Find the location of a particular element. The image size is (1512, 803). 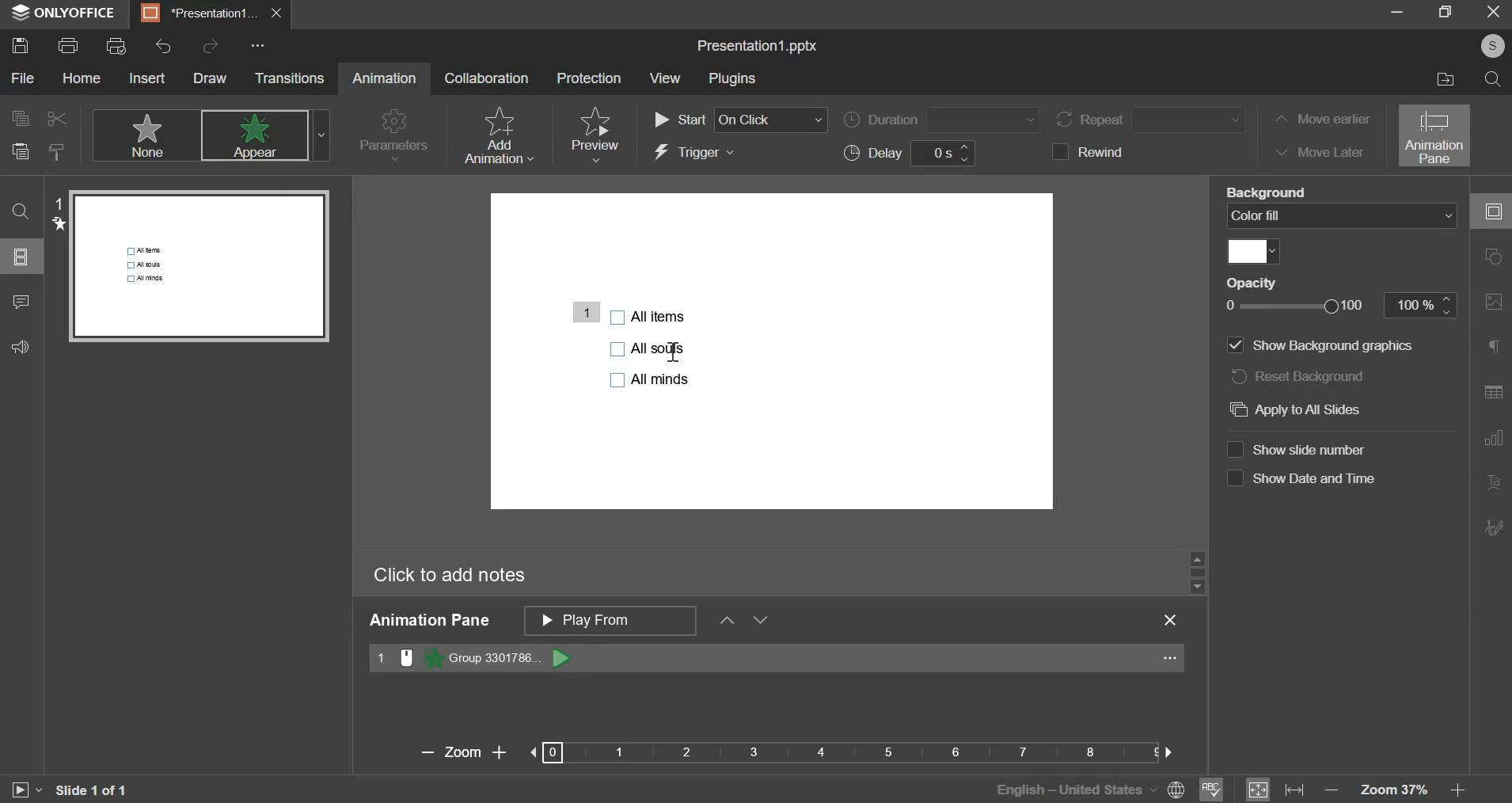

print preview is located at coordinates (115, 46).